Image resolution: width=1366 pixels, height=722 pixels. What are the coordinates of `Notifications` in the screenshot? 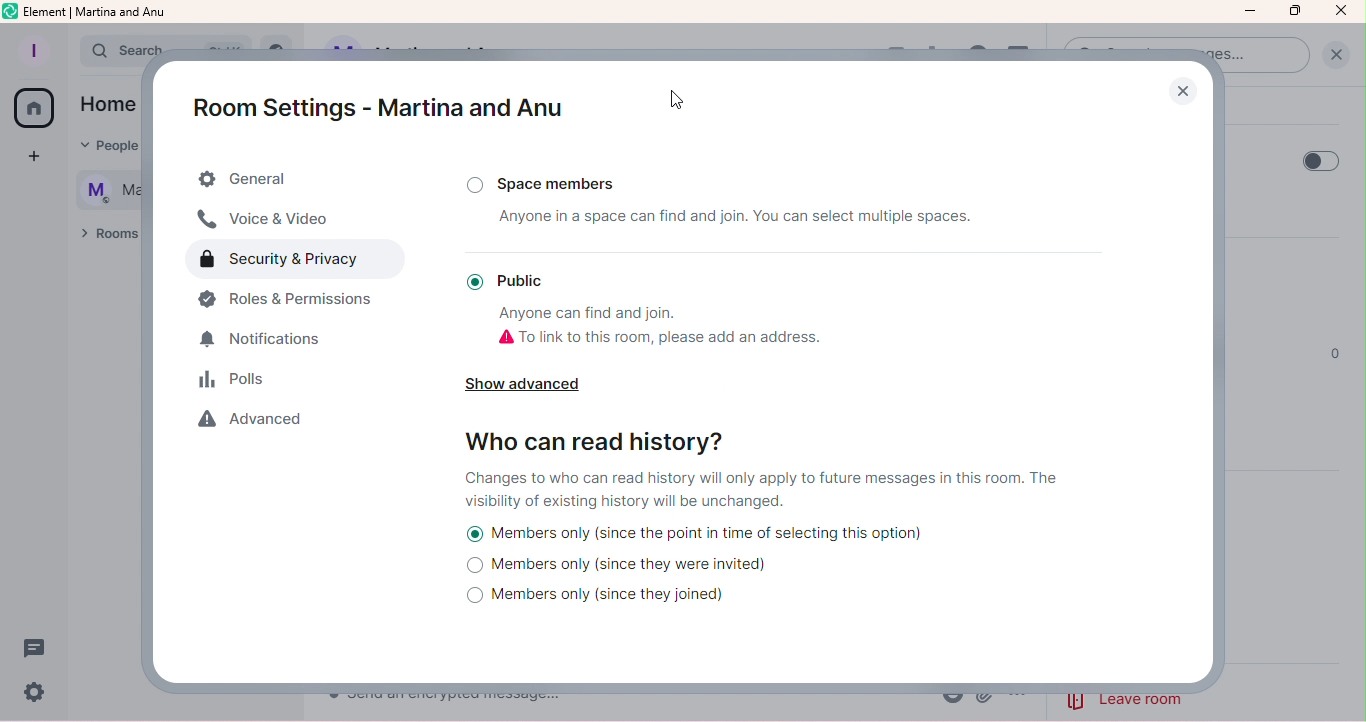 It's located at (271, 340).